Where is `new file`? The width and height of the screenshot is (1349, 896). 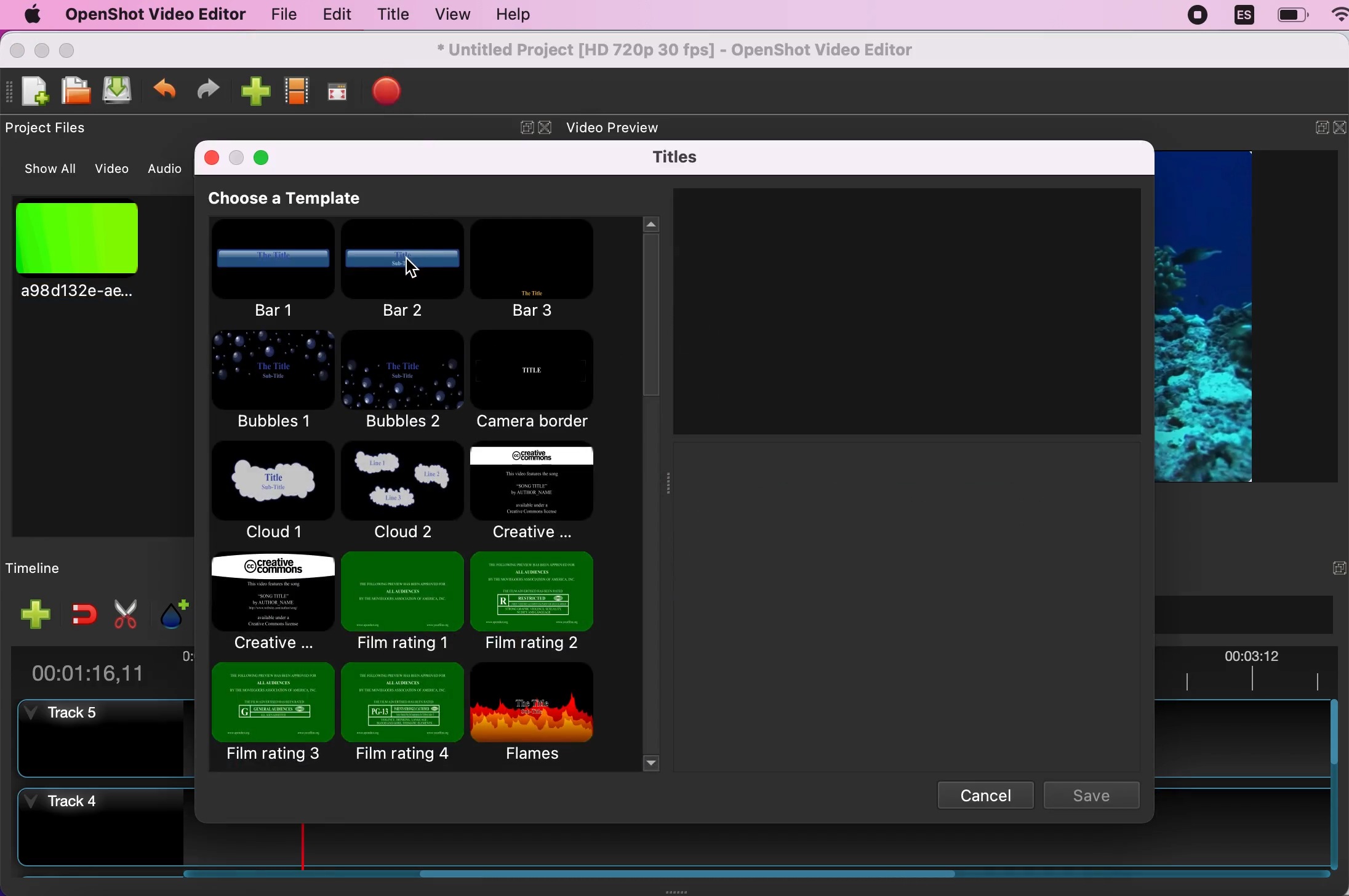
new file is located at coordinates (30, 92).